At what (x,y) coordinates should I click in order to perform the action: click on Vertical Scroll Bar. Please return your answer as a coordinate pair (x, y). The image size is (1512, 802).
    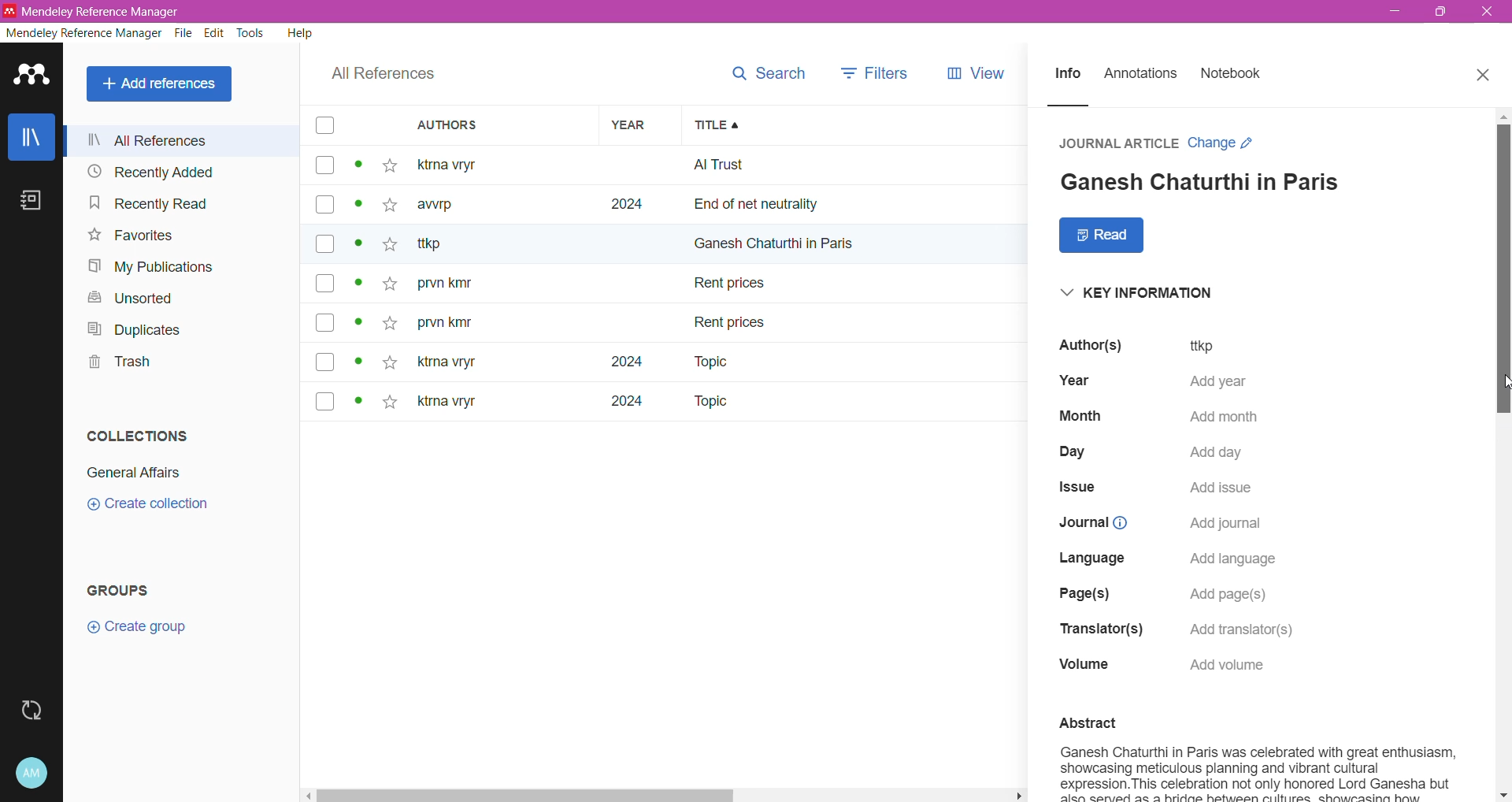
    Looking at the image, I should click on (1503, 455).